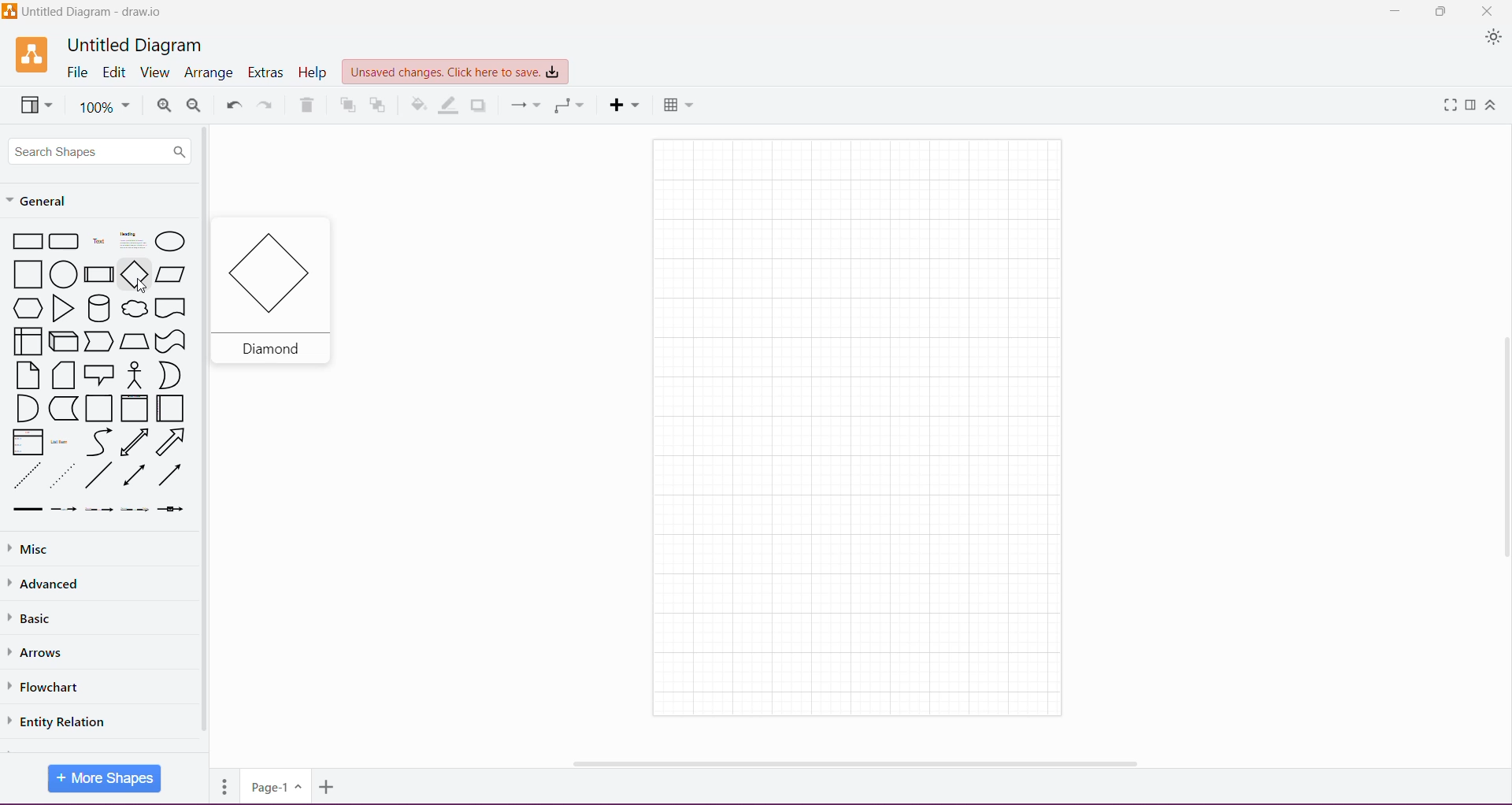 The height and width of the screenshot is (805, 1512). I want to click on Vertical Scroll Bar, so click(1503, 451).